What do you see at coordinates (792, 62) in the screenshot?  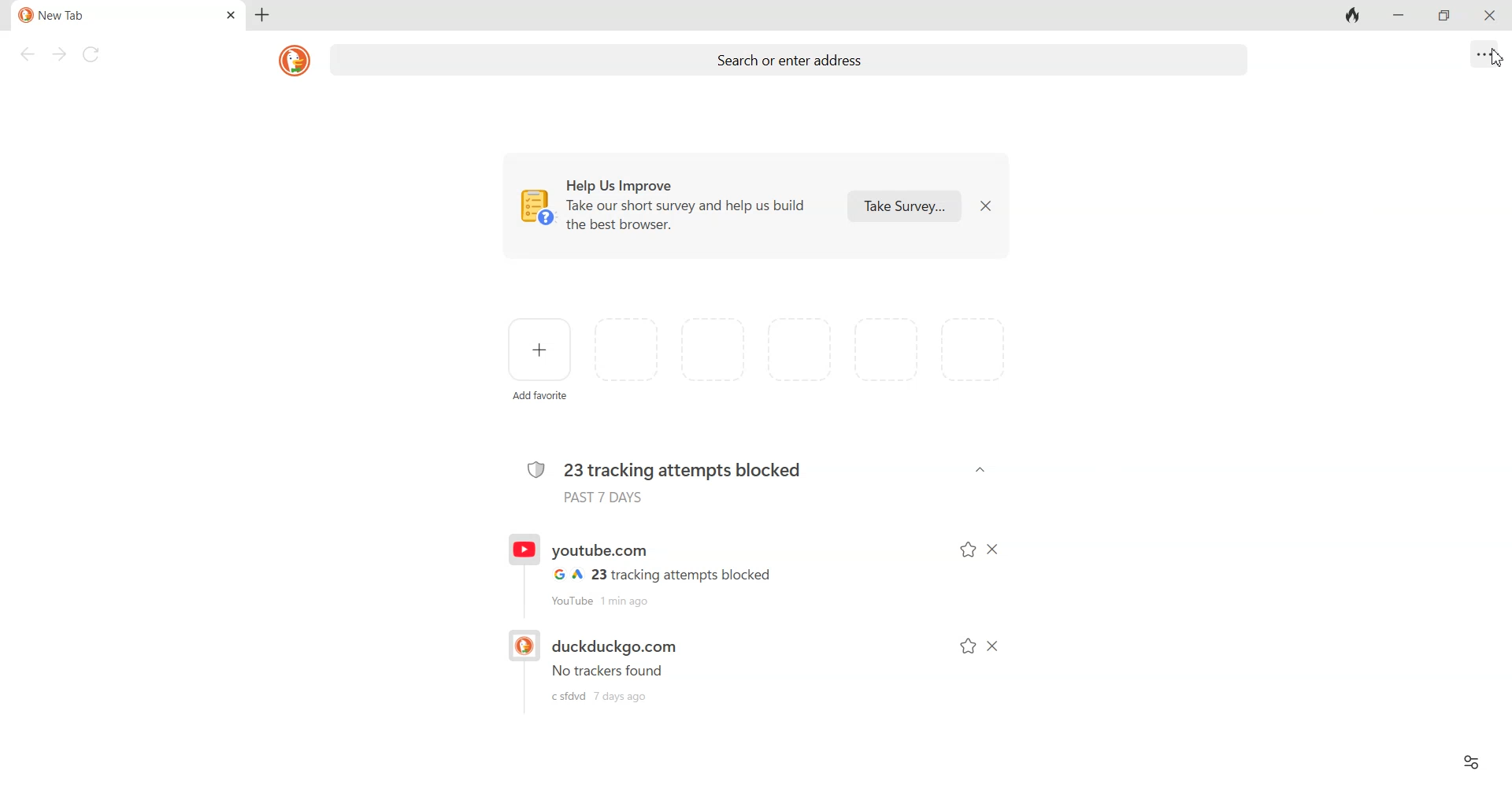 I see `Search or enter address` at bounding box center [792, 62].